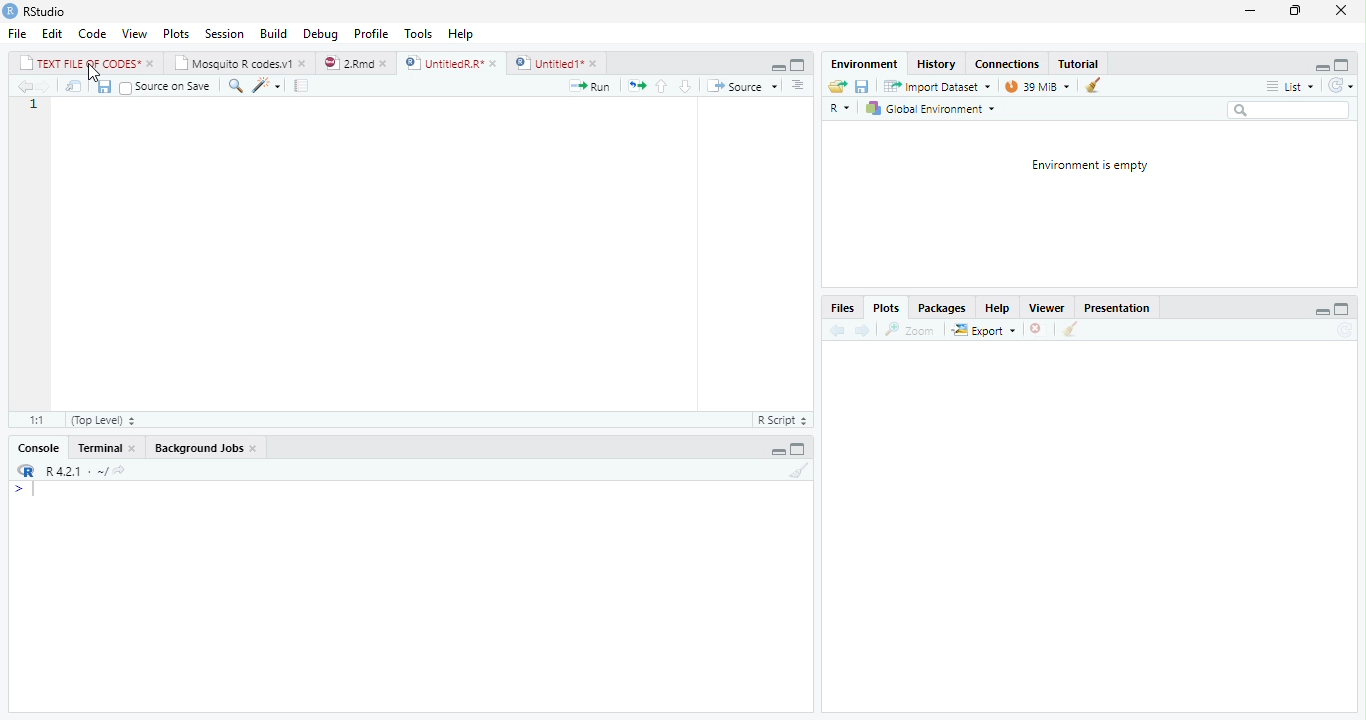 The width and height of the screenshot is (1366, 720). I want to click on Export, so click(984, 330).